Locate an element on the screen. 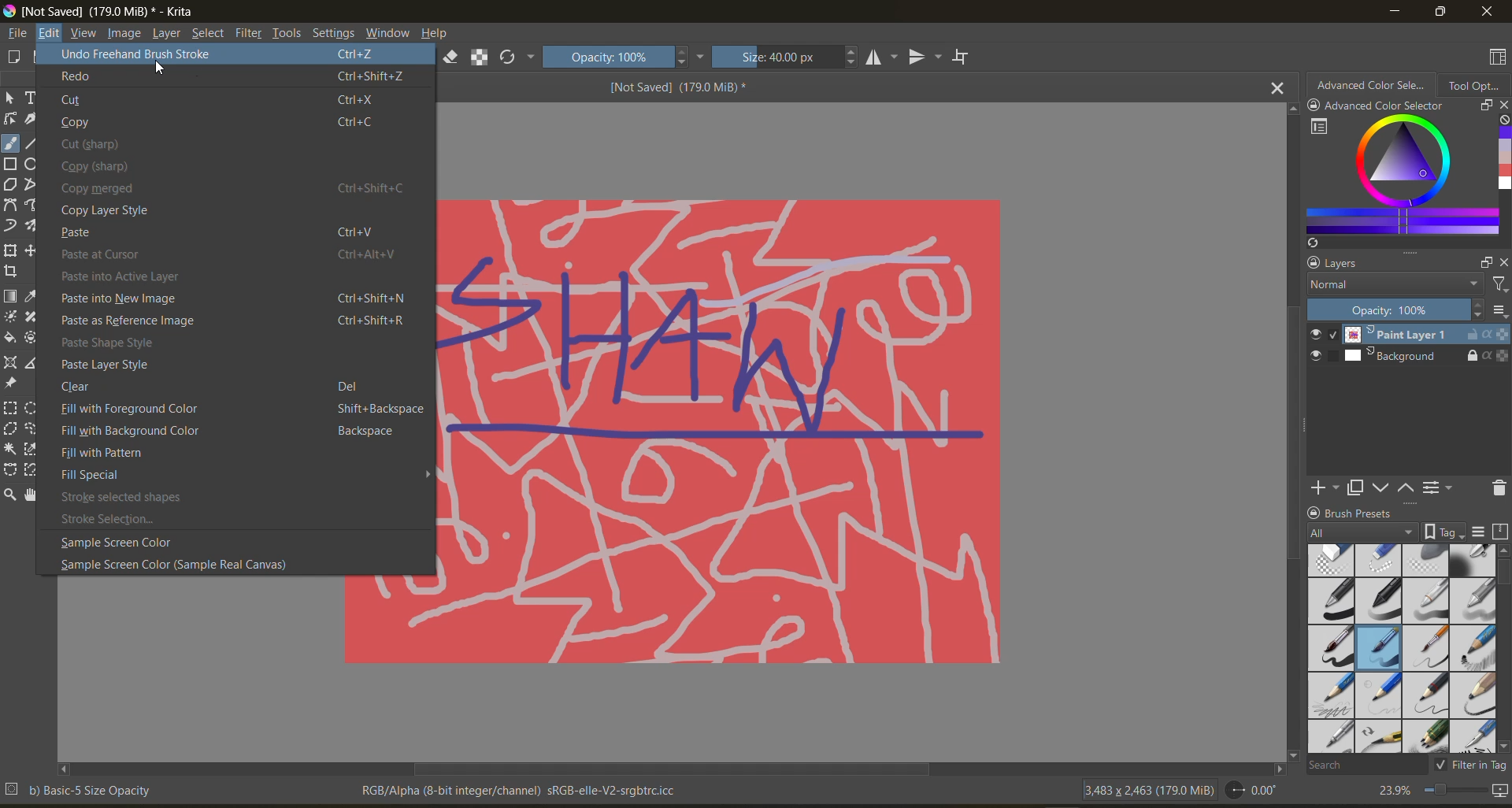 This screenshot has width=1512, height=808. normal is located at coordinates (1392, 286).